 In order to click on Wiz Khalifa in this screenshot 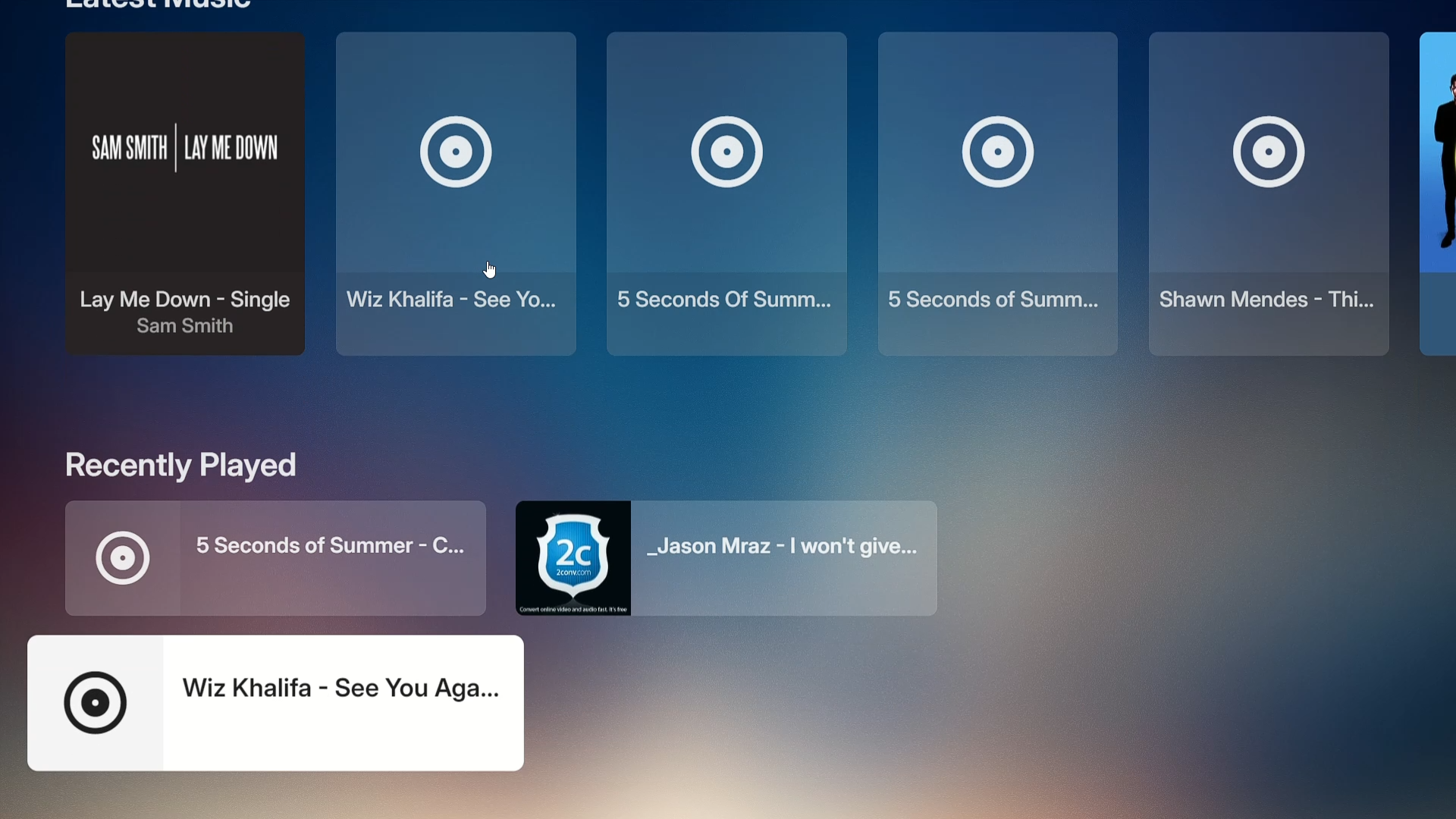, I will do `click(283, 702)`.